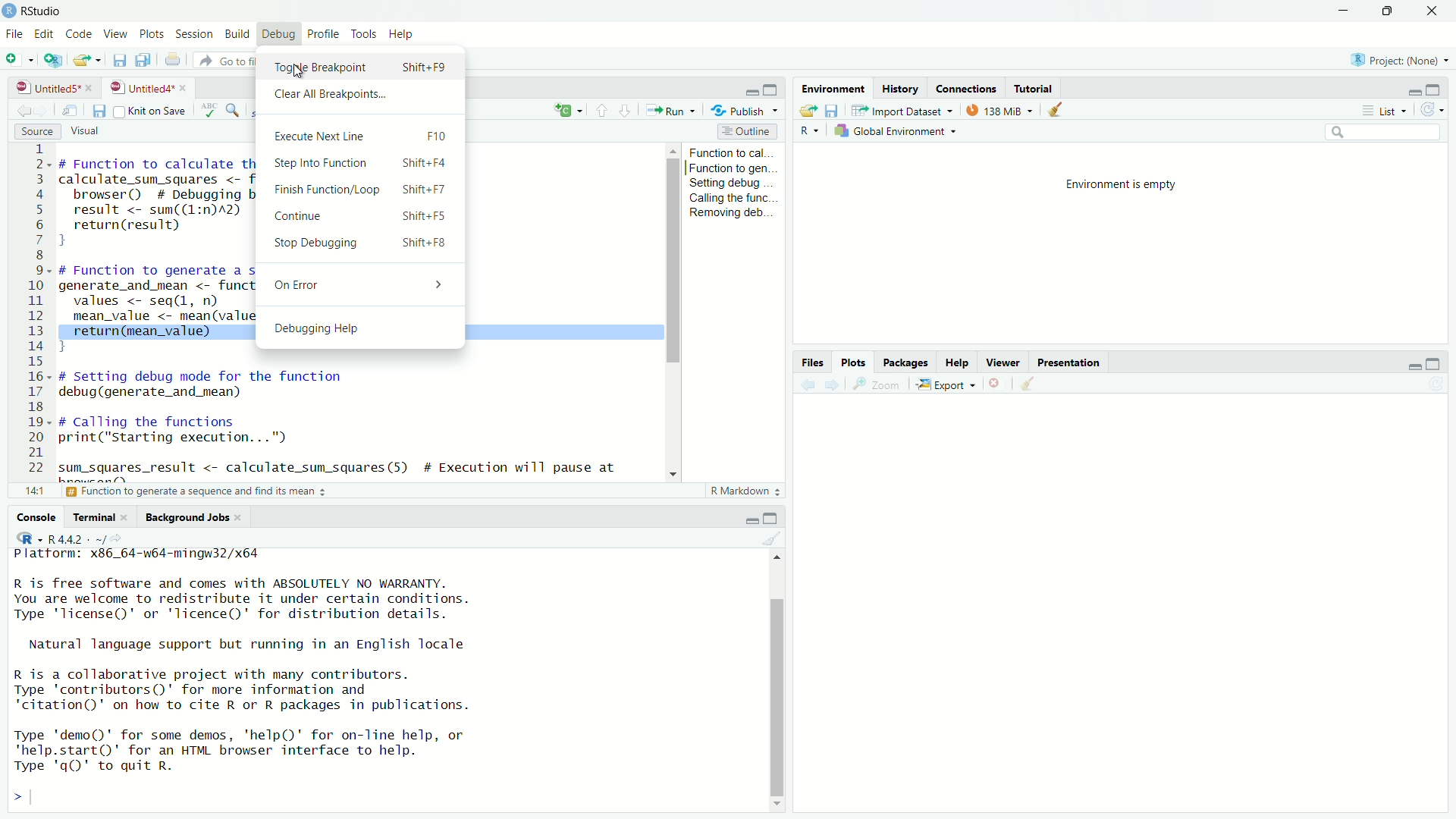 Image resolution: width=1456 pixels, height=819 pixels. What do you see at coordinates (1409, 90) in the screenshot?
I see `minimize` at bounding box center [1409, 90].